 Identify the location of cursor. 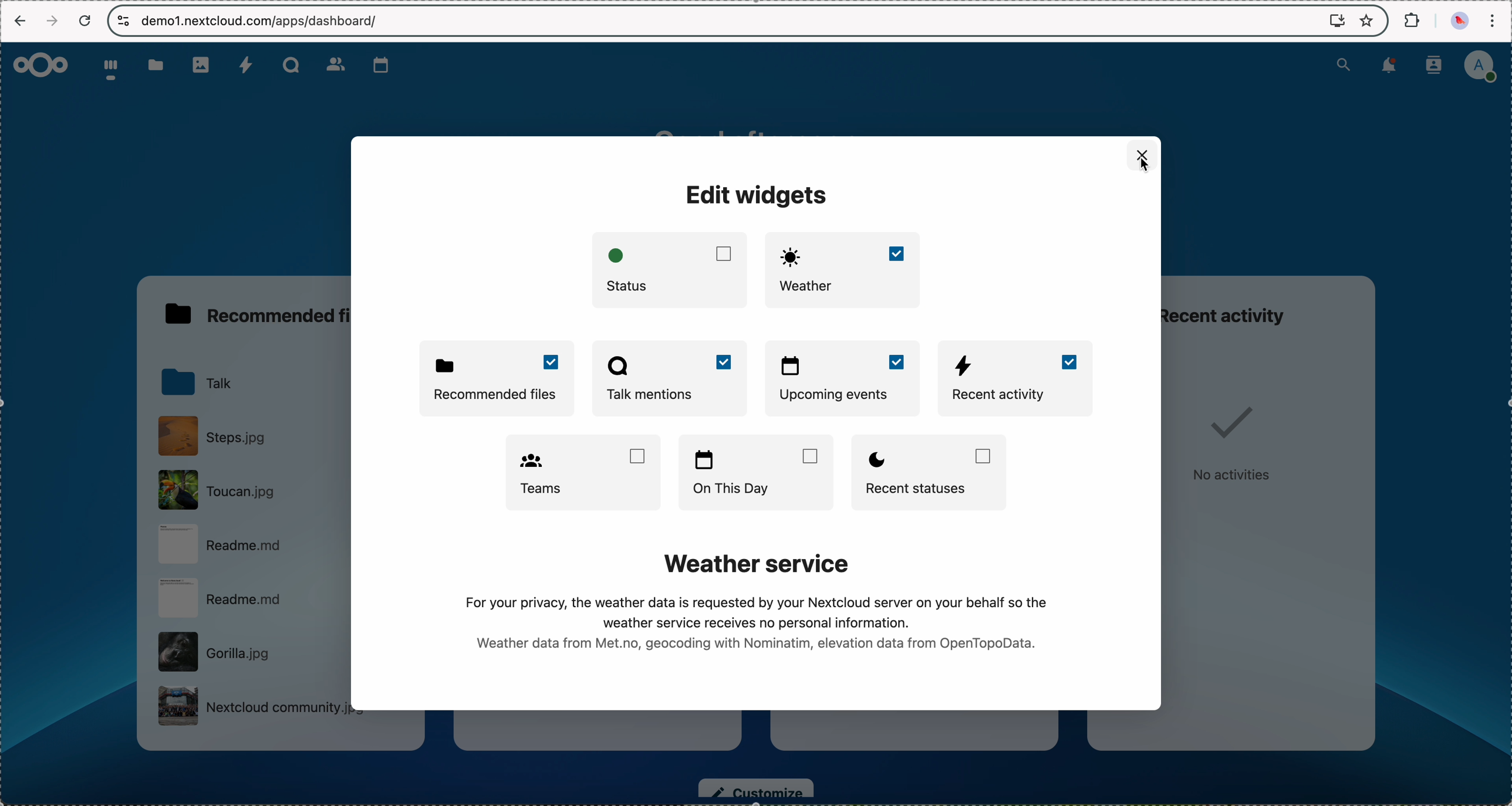
(1145, 169).